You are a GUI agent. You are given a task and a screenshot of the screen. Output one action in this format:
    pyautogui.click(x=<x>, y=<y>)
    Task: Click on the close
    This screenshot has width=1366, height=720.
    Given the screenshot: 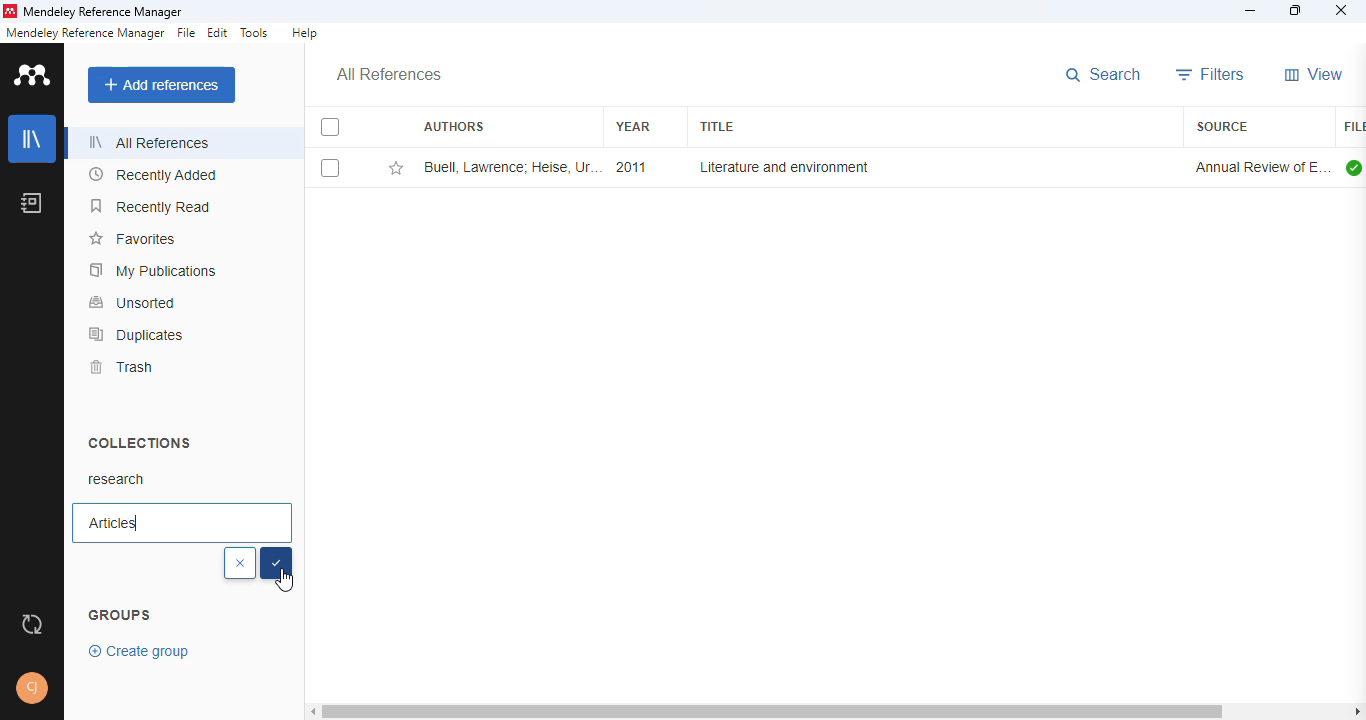 What is the action you would take?
    pyautogui.click(x=1342, y=10)
    